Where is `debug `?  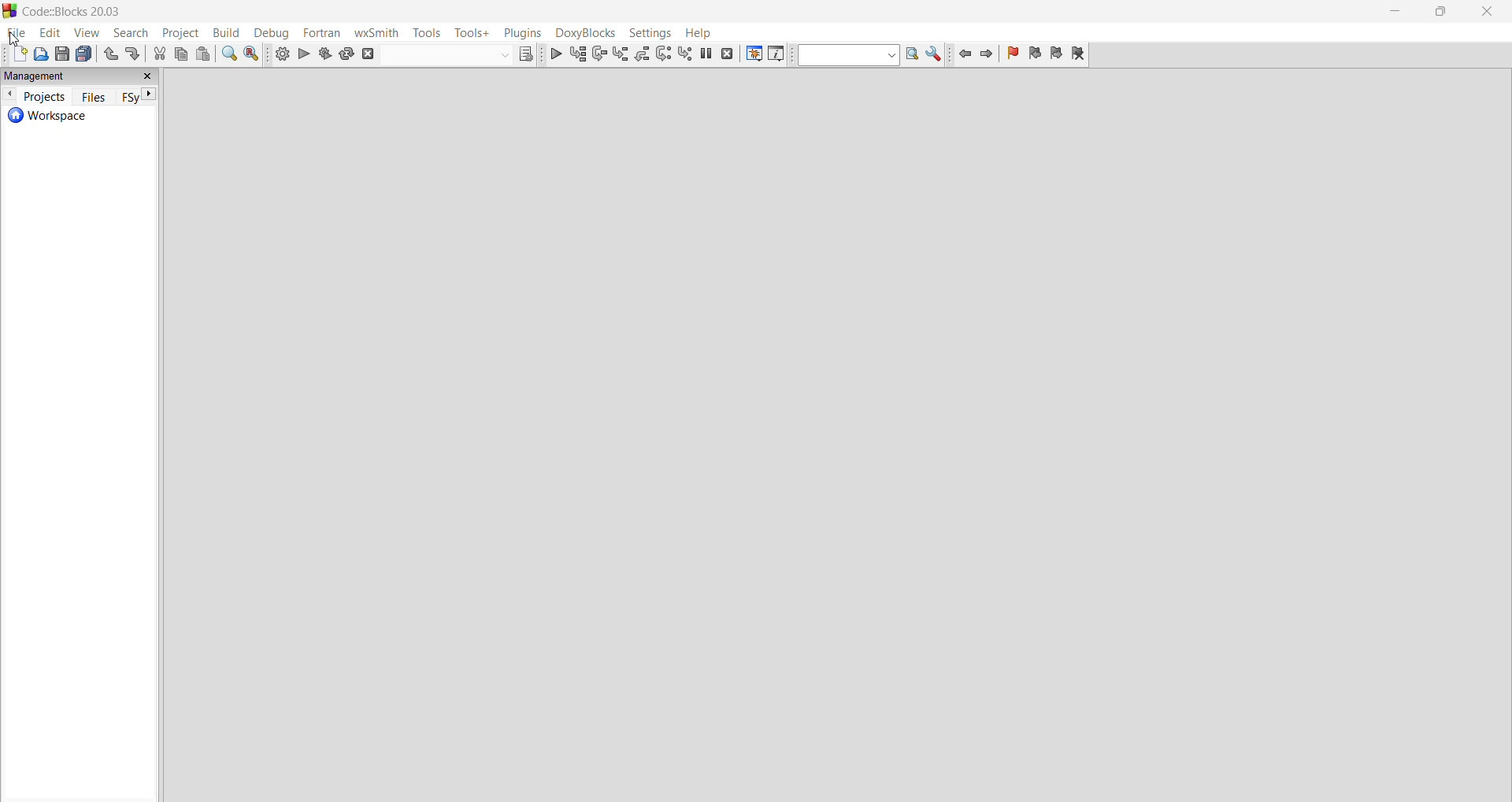 debug  is located at coordinates (554, 54).